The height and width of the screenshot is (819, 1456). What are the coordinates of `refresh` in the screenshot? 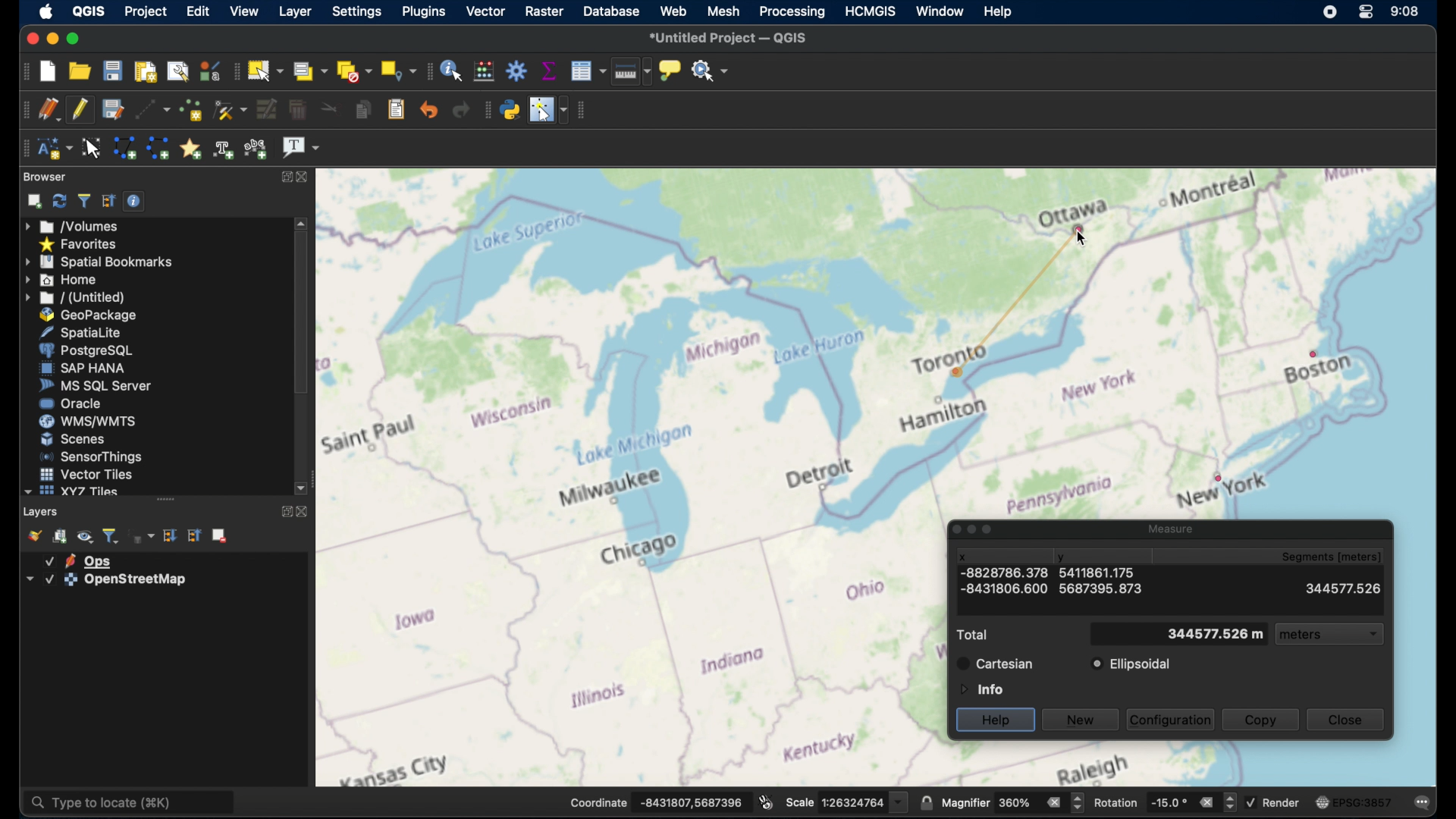 It's located at (58, 201).